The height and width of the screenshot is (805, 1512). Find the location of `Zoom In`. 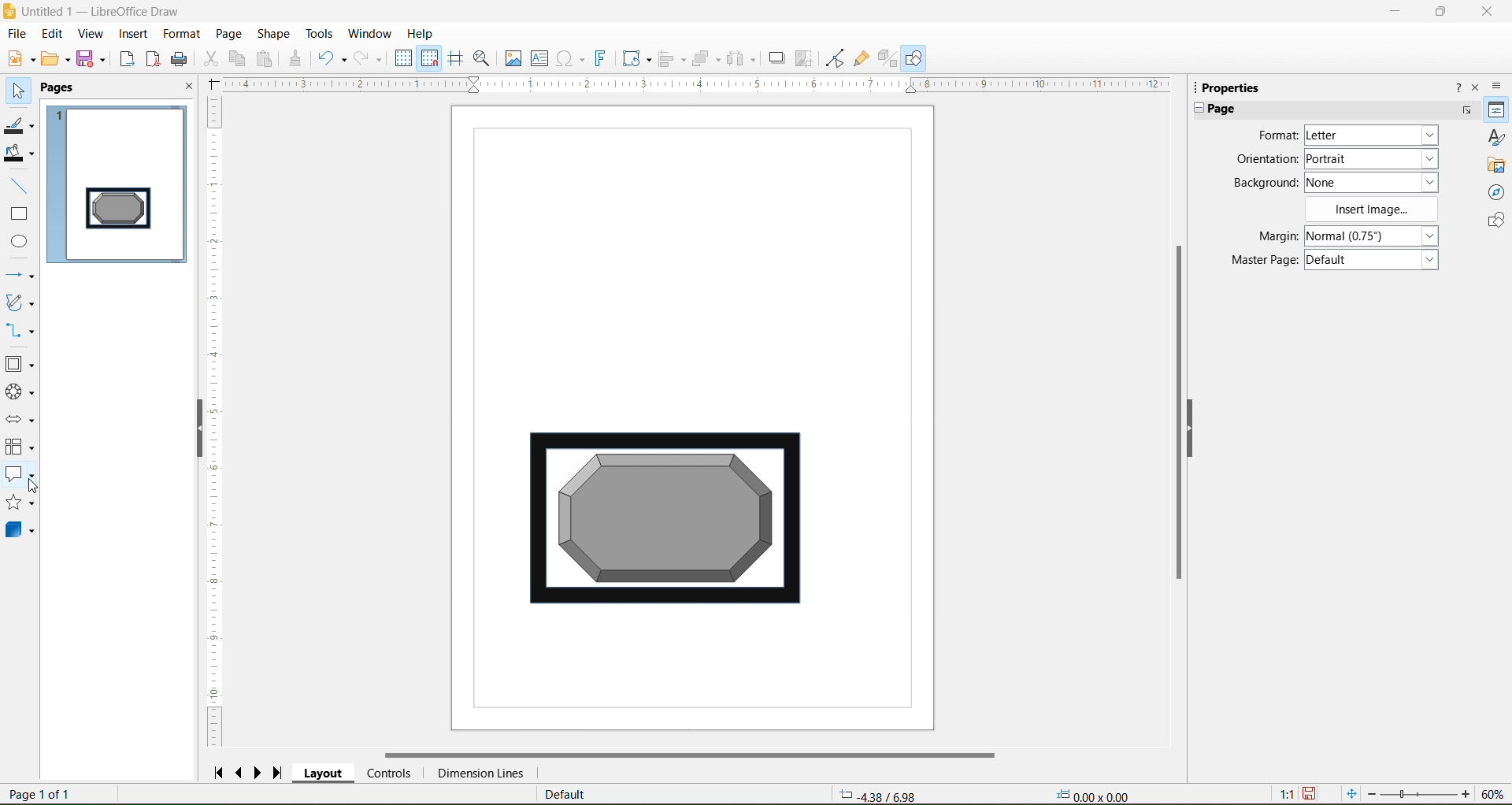

Zoom In is located at coordinates (1467, 795).